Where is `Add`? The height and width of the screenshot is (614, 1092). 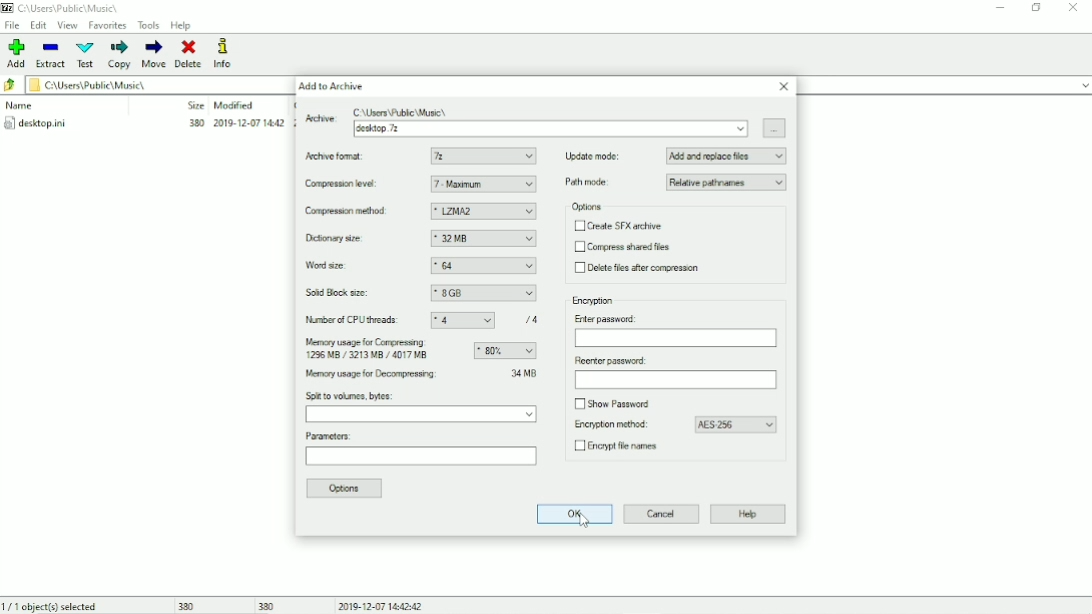
Add is located at coordinates (14, 54).